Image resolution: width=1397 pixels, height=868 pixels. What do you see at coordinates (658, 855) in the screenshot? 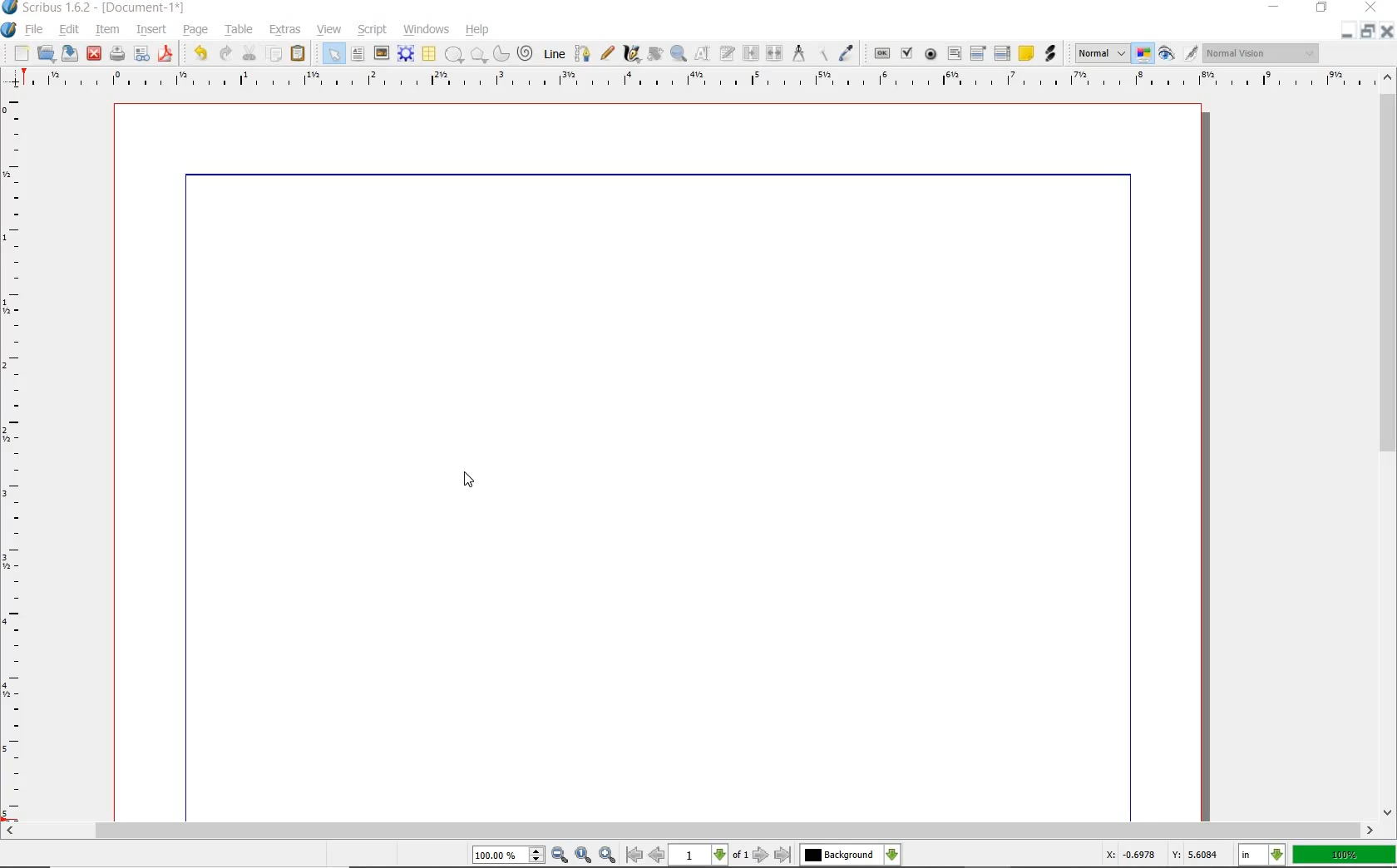
I see `previous` at bounding box center [658, 855].